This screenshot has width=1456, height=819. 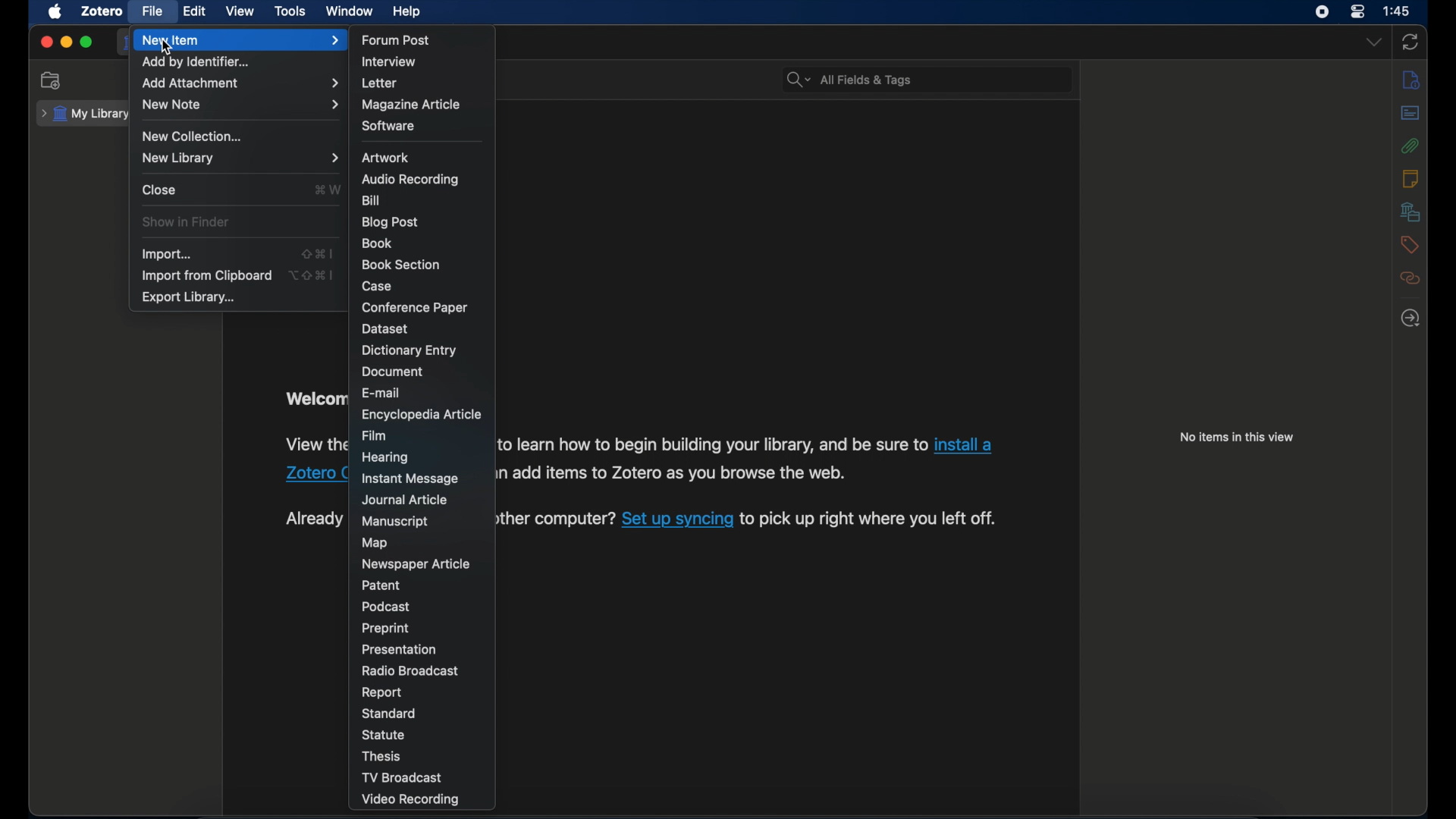 What do you see at coordinates (396, 39) in the screenshot?
I see `forum post` at bounding box center [396, 39].